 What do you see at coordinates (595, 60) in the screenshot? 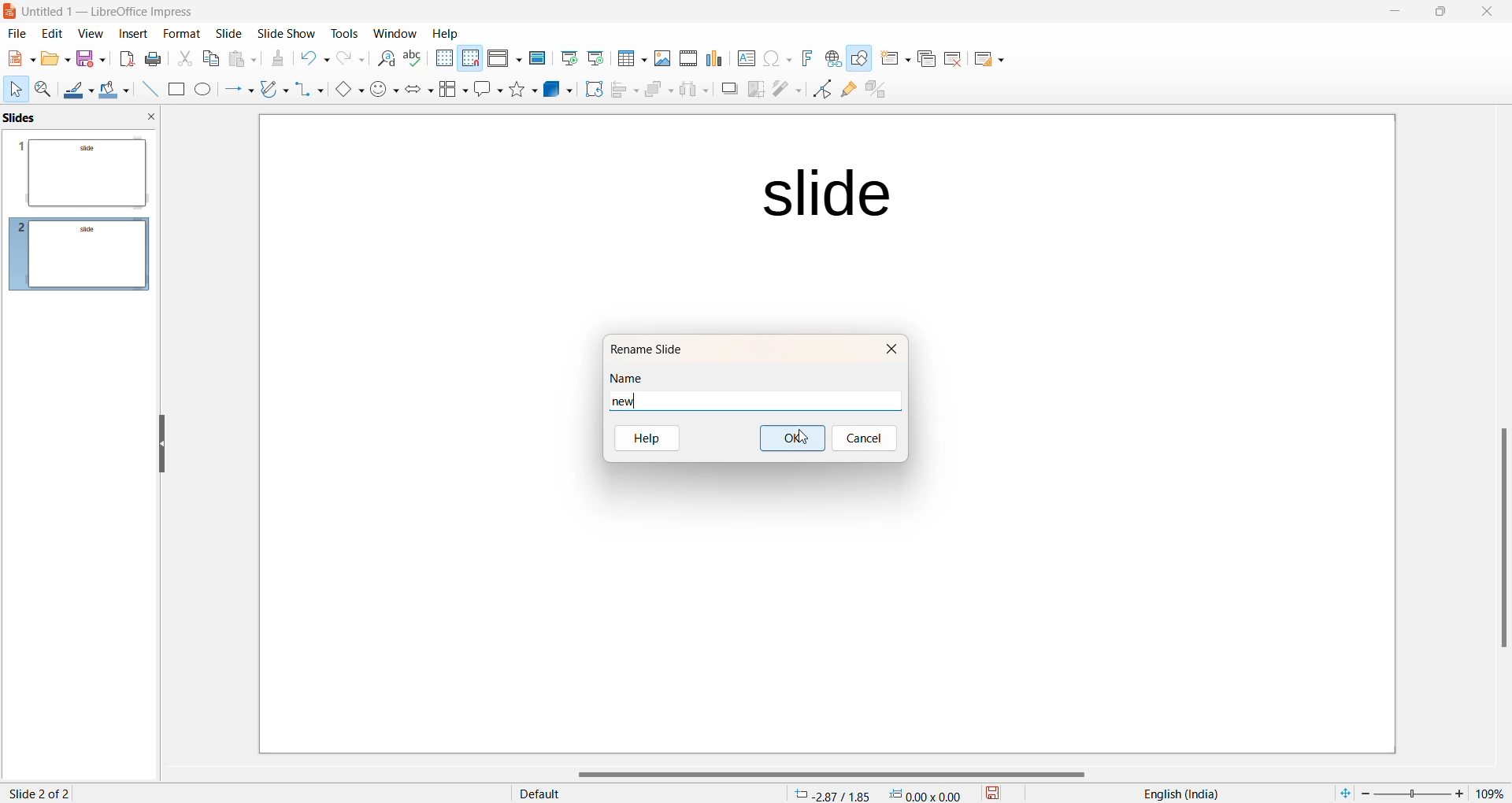
I see `Start from current slide` at bounding box center [595, 60].